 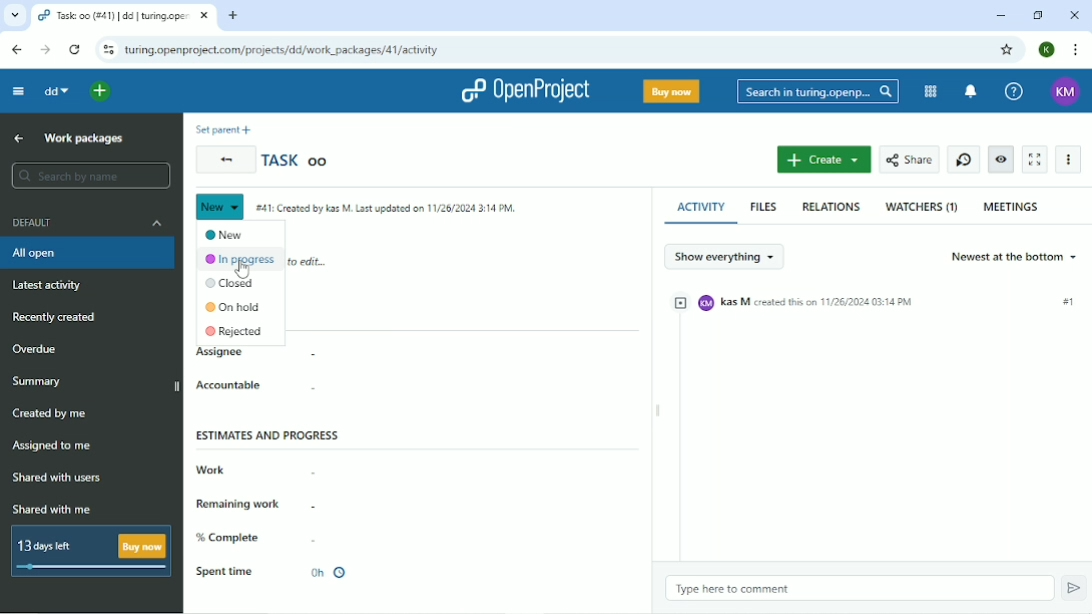 What do you see at coordinates (1044, 50) in the screenshot?
I see `K` at bounding box center [1044, 50].